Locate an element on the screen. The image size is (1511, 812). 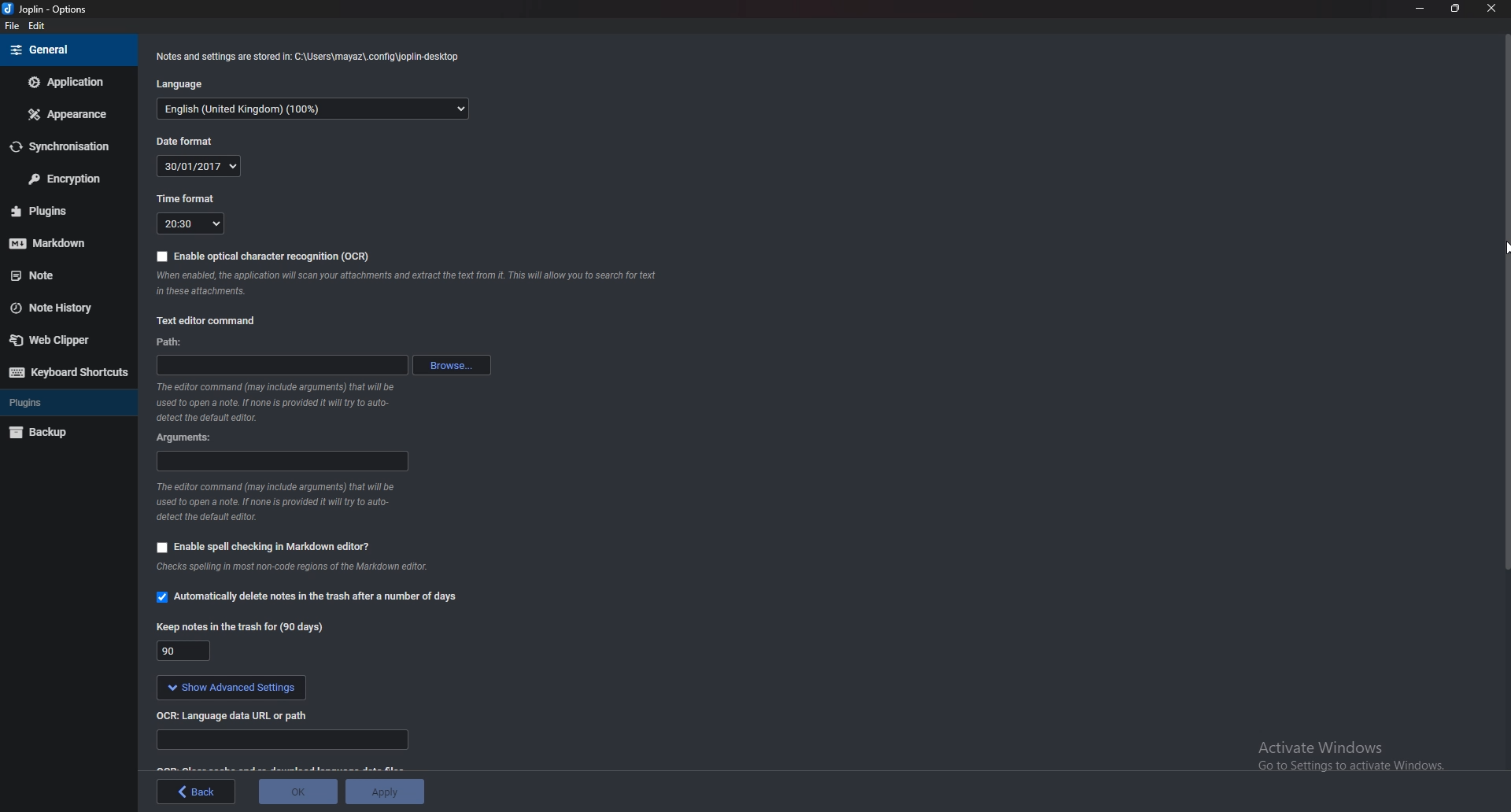
Info is located at coordinates (275, 501).